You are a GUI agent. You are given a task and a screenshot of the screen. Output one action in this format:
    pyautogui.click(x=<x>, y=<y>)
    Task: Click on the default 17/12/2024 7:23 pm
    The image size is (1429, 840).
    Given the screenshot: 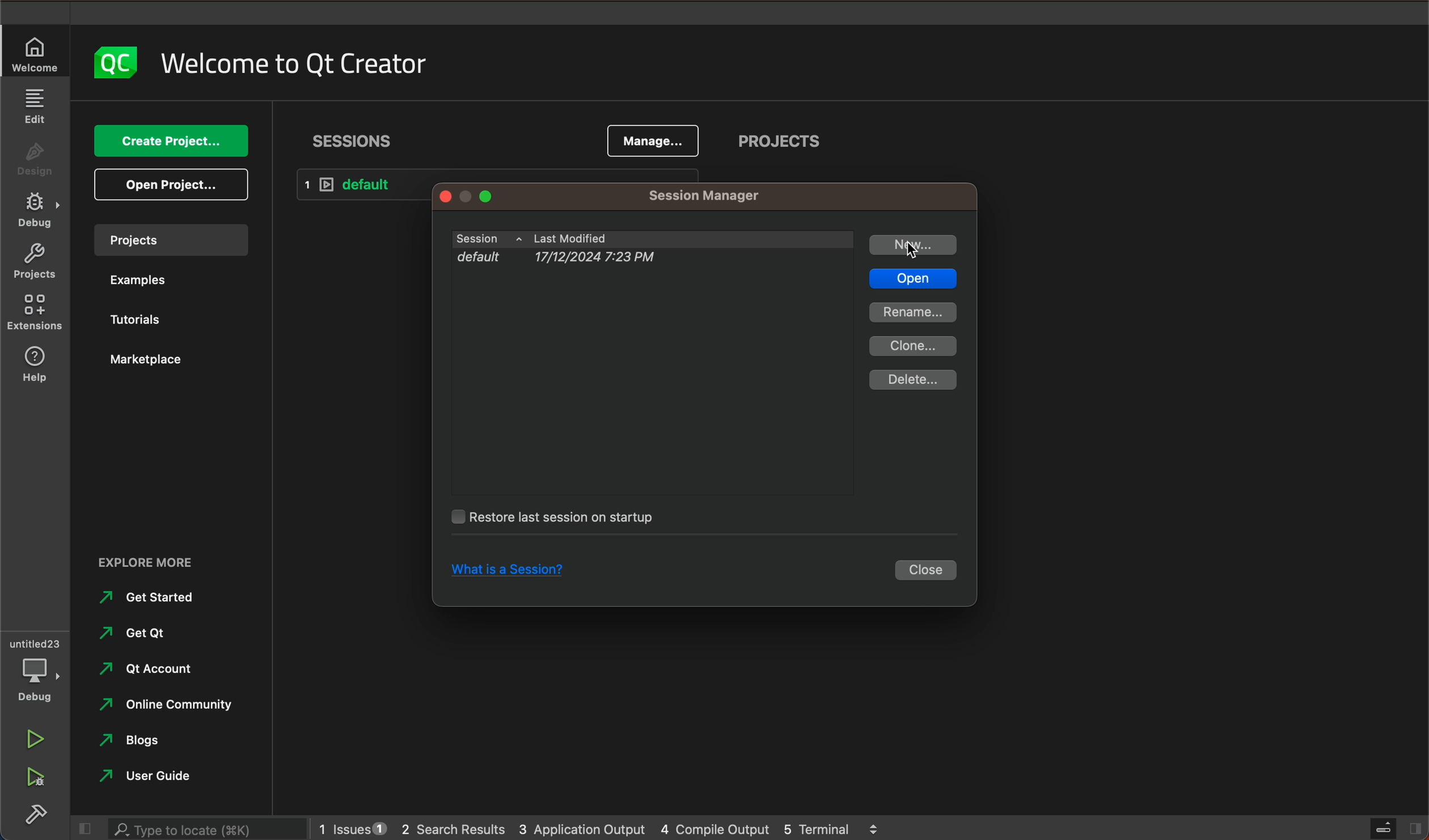 What is the action you would take?
    pyautogui.click(x=644, y=261)
    